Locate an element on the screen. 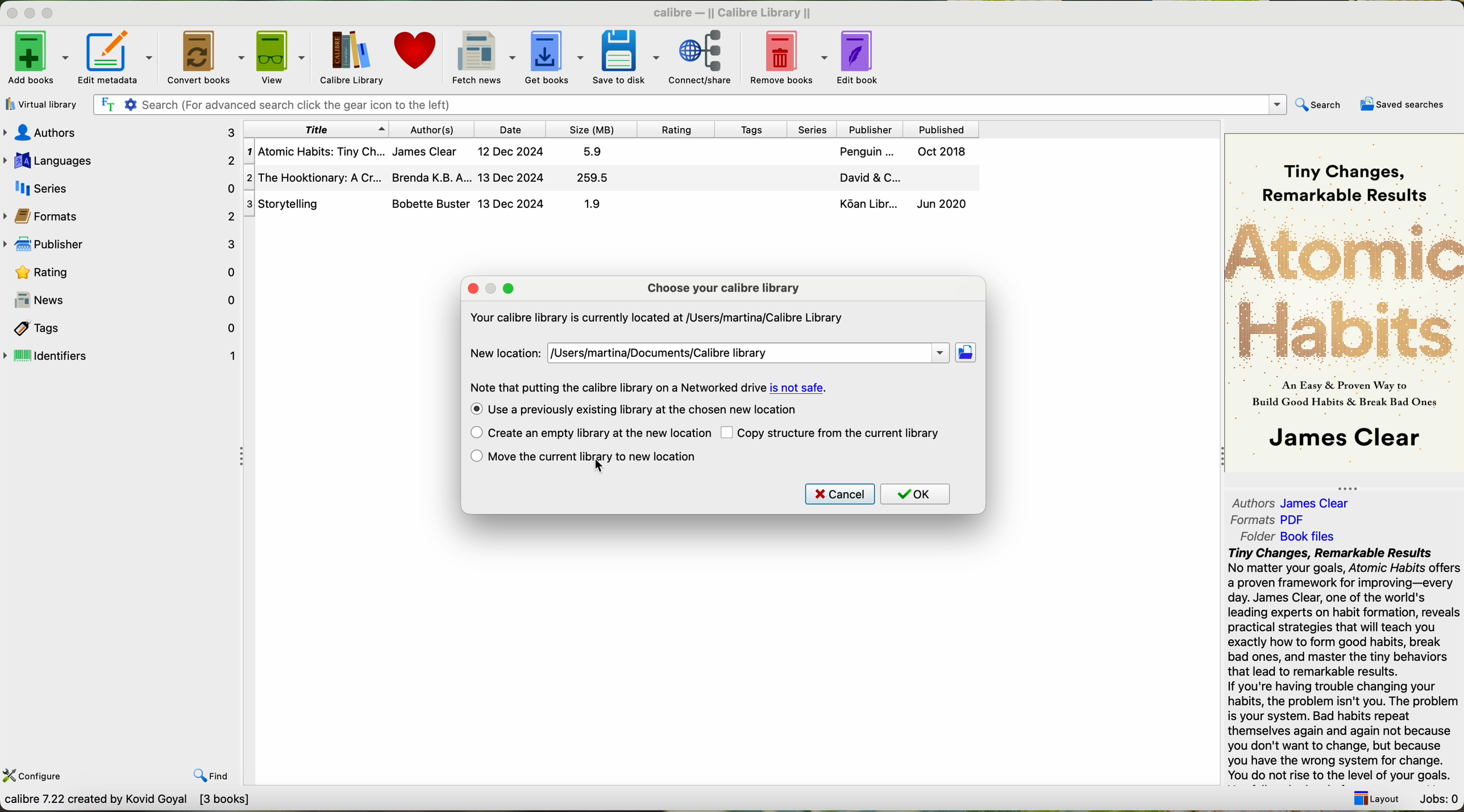  PDF is located at coordinates (1299, 519).